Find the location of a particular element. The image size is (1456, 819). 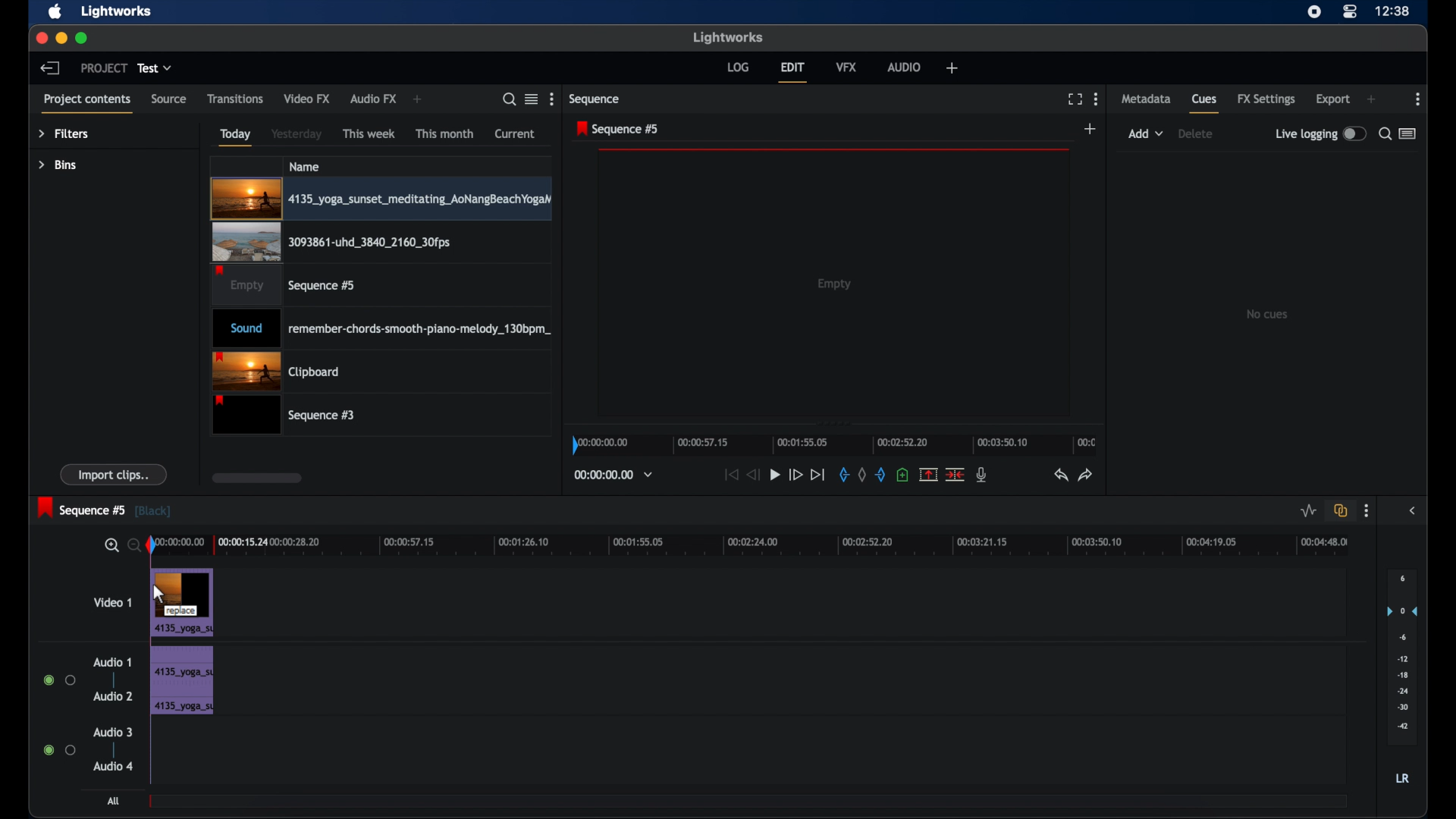

audio 4 is located at coordinates (111, 767).